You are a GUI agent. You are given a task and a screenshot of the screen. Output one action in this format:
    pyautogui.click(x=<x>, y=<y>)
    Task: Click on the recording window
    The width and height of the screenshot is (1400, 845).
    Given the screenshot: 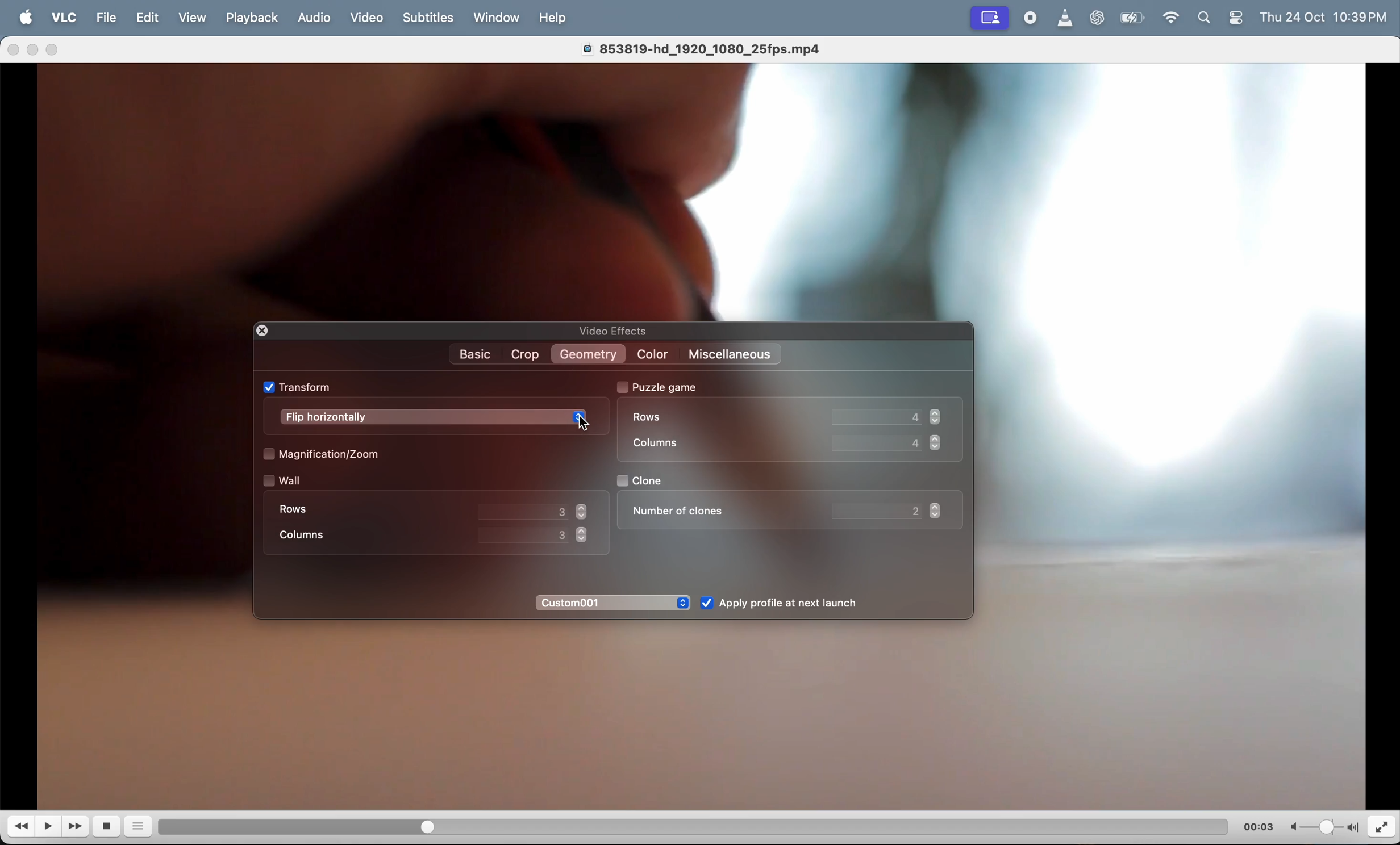 What is the action you would take?
    pyautogui.click(x=991, y=16)
    